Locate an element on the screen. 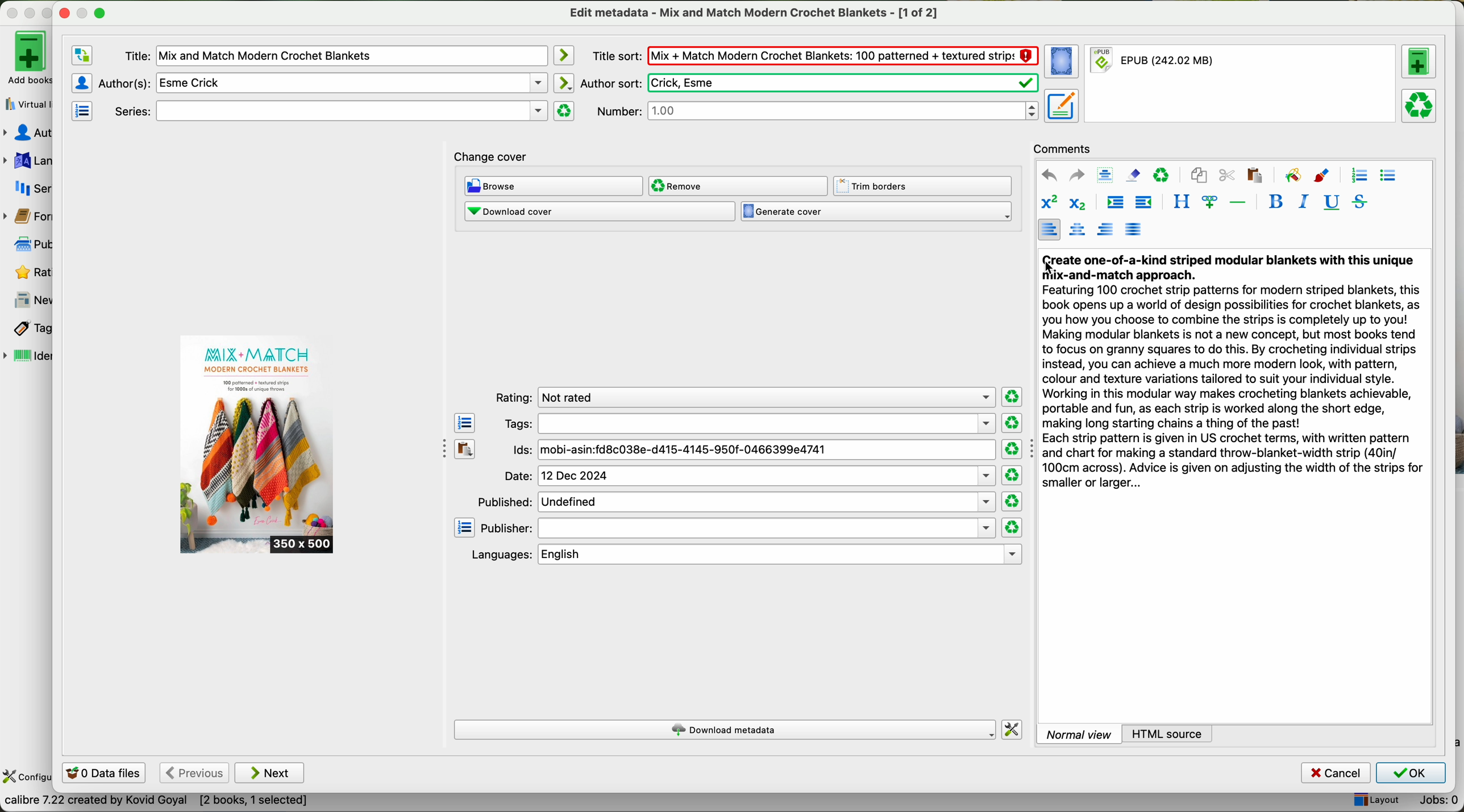  cancel is located at coordinates (1337, 773).